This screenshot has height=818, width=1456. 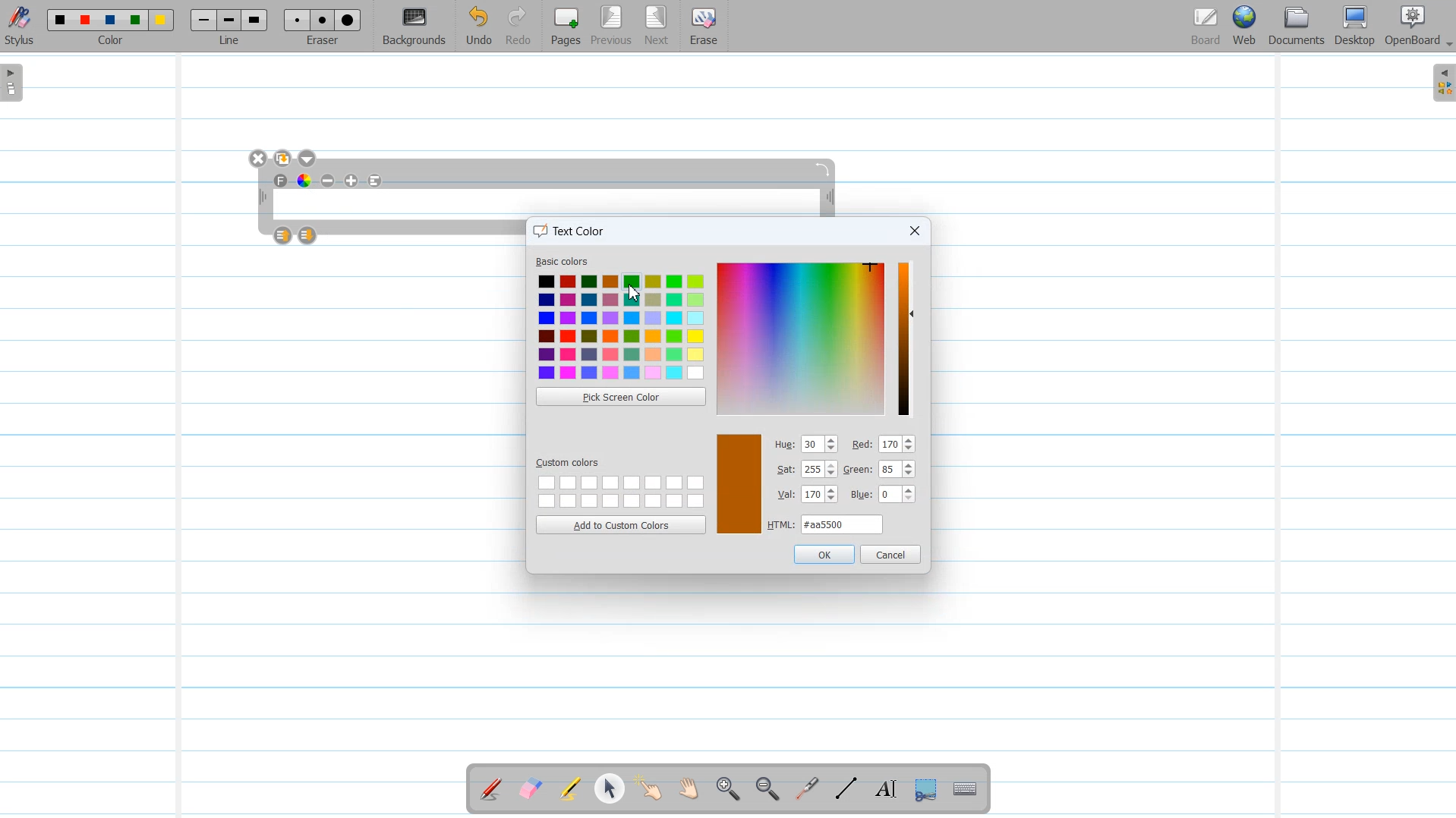 I want to click on Custom colors, so click(x=619, y=490).